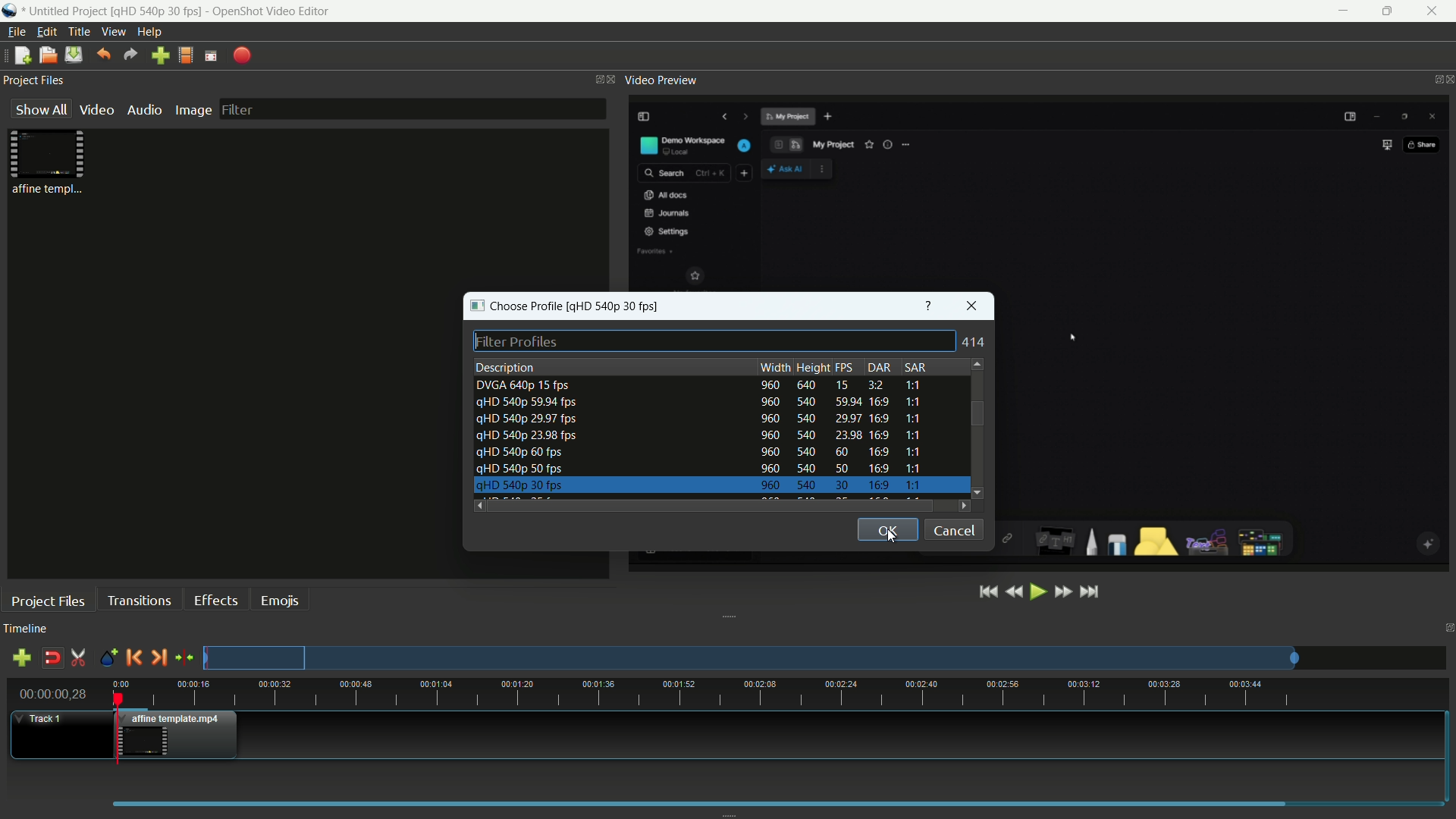  Describe the element at coordinates (149, 32) in the screenshot. I see `help menu` at that location.